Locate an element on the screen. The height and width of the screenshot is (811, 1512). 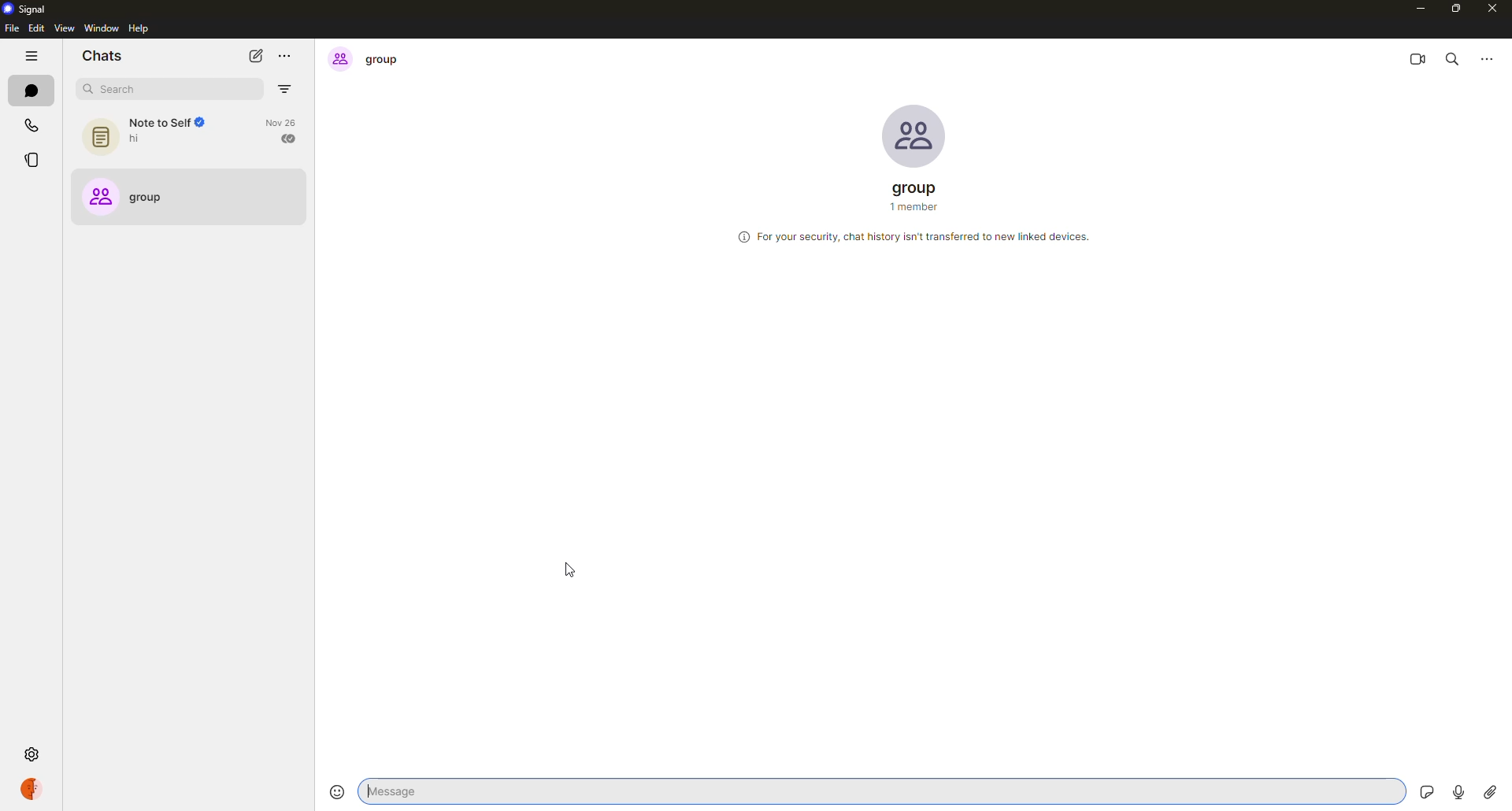
view is located at coordinates (62, 29).